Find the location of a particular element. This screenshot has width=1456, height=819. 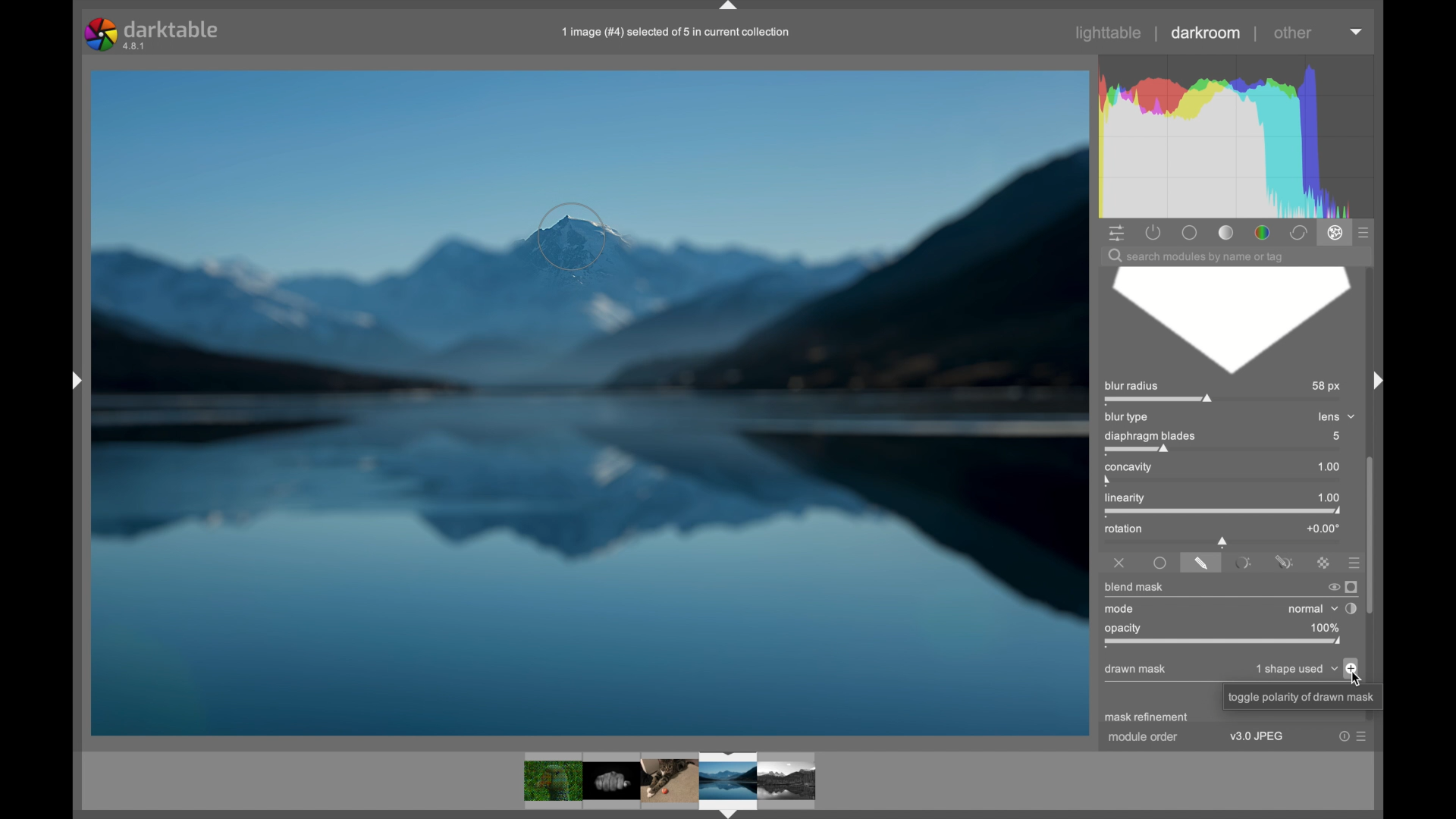

blend mask is located at coordinates (1136, 586).